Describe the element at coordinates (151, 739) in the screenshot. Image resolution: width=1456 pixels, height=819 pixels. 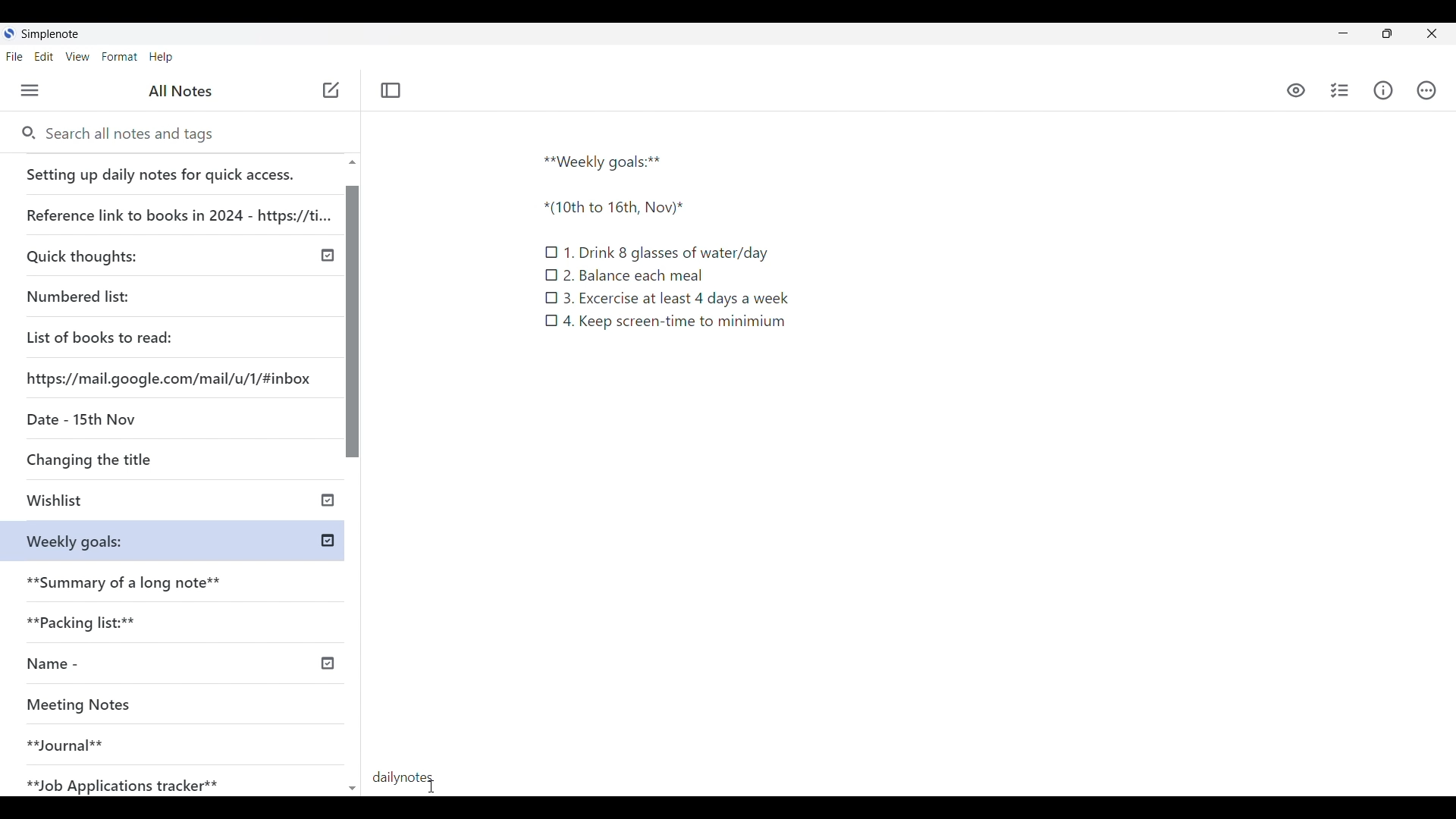
I see `Journal` at that location.